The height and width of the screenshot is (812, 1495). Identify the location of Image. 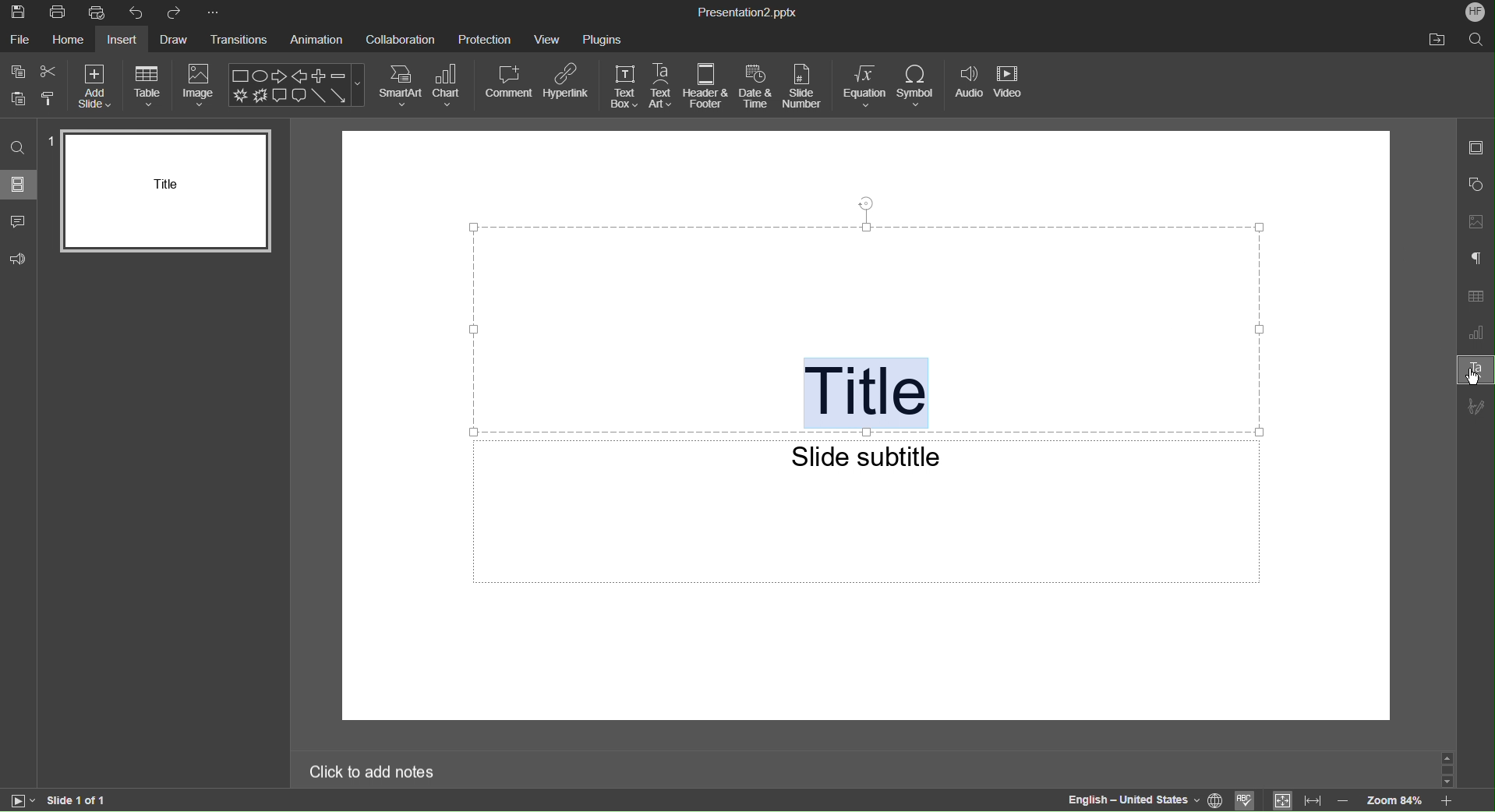
(200, 86).